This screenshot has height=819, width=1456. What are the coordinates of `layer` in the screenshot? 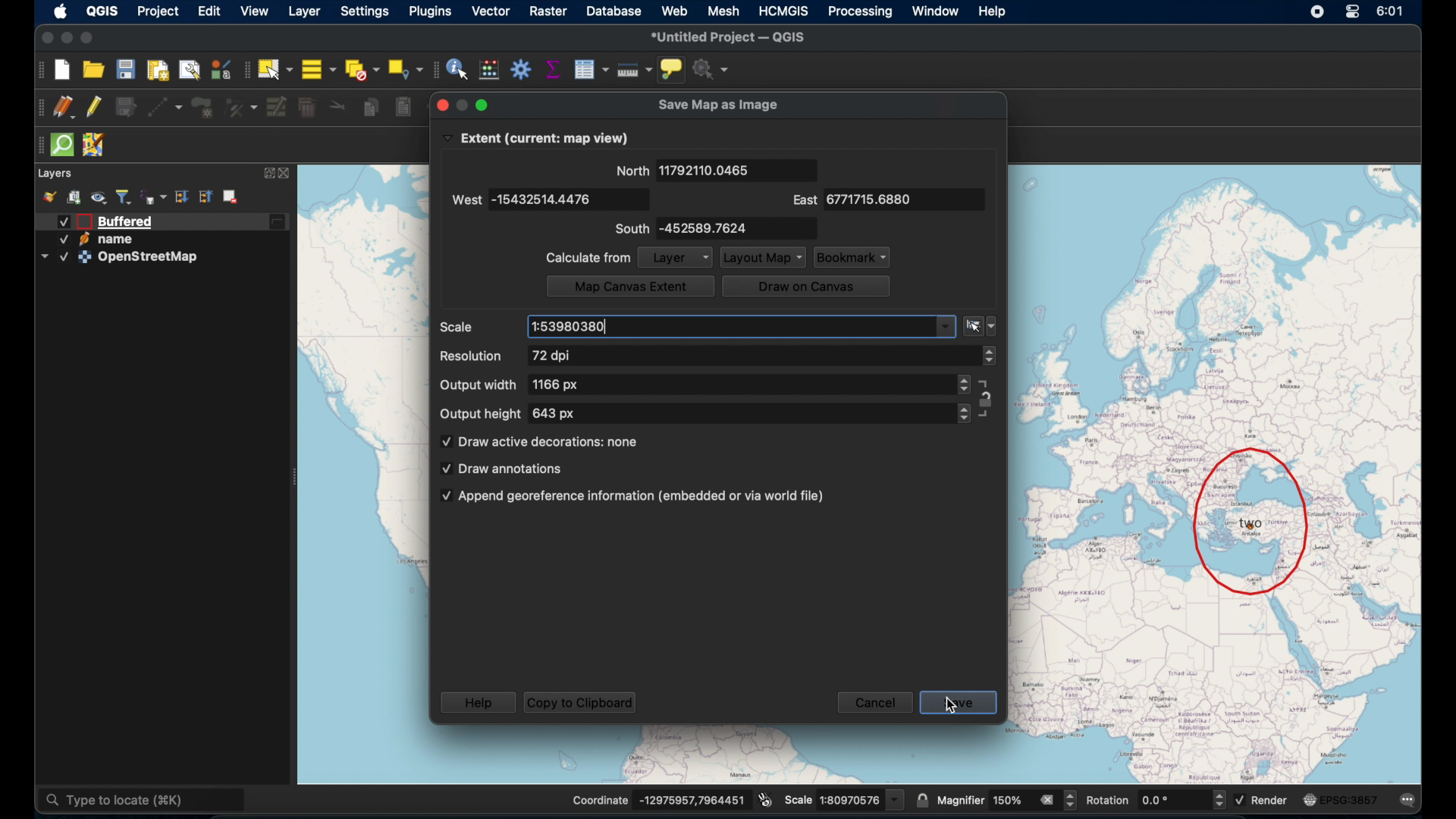 It's located at (303, 11).